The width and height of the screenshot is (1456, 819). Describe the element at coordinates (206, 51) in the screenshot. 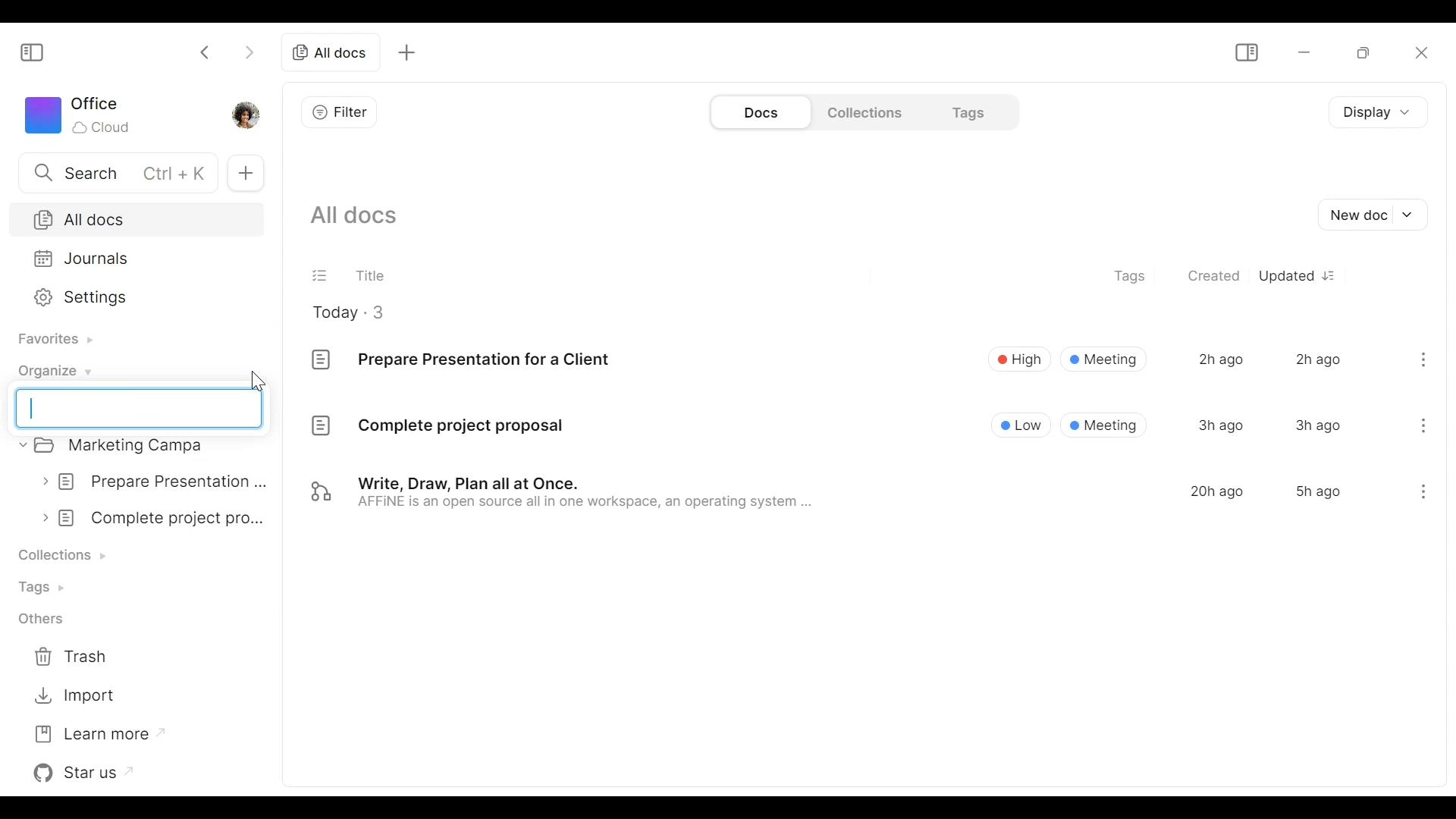

I see `Click to go back` at that location.